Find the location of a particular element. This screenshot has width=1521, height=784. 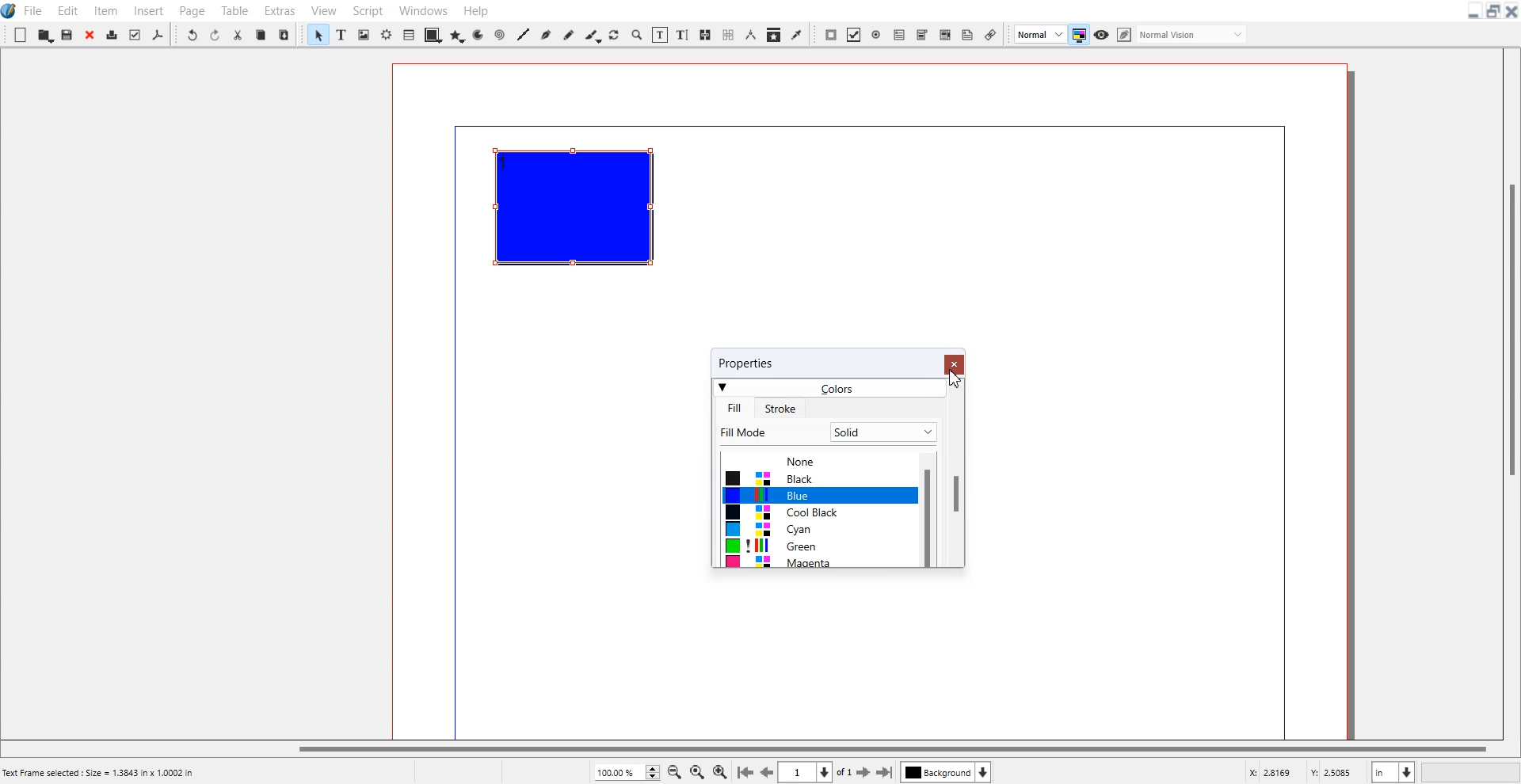

Copy is located at coordinates (261, 33).